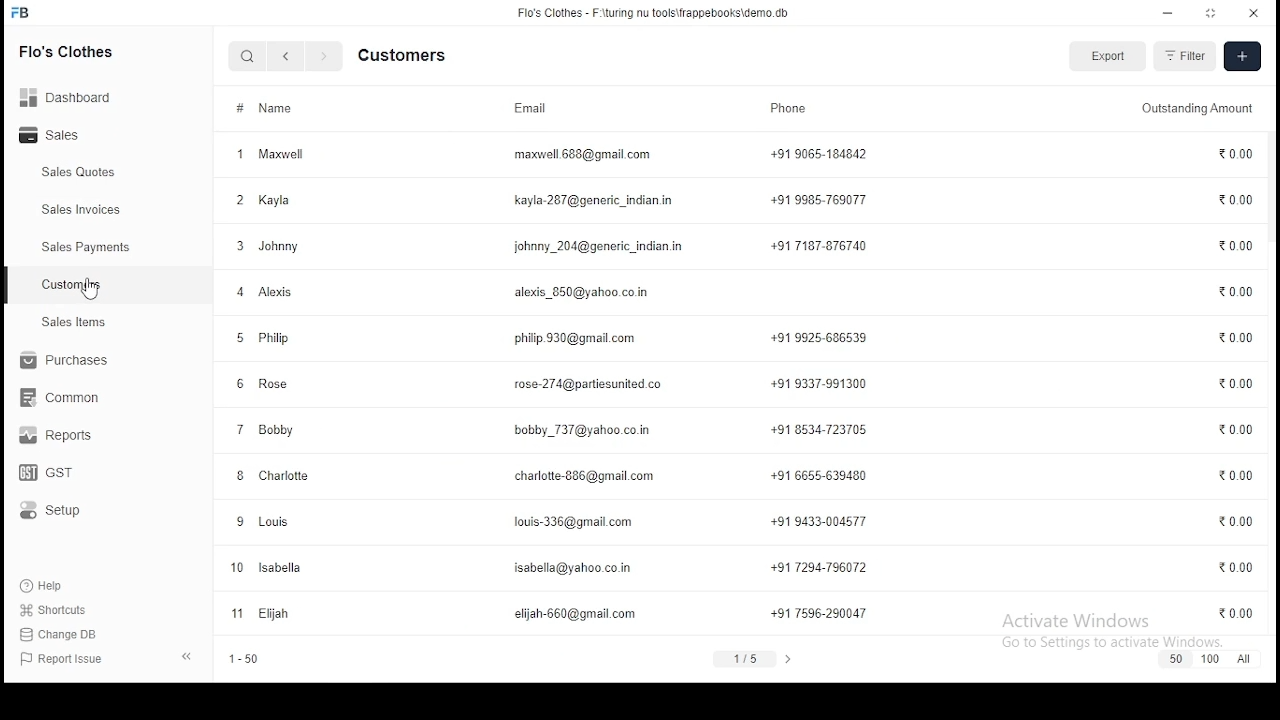  What do you see at coordinates (1209, 660) in the screenshot?
I see `100` at bounding box center [1209, 660].